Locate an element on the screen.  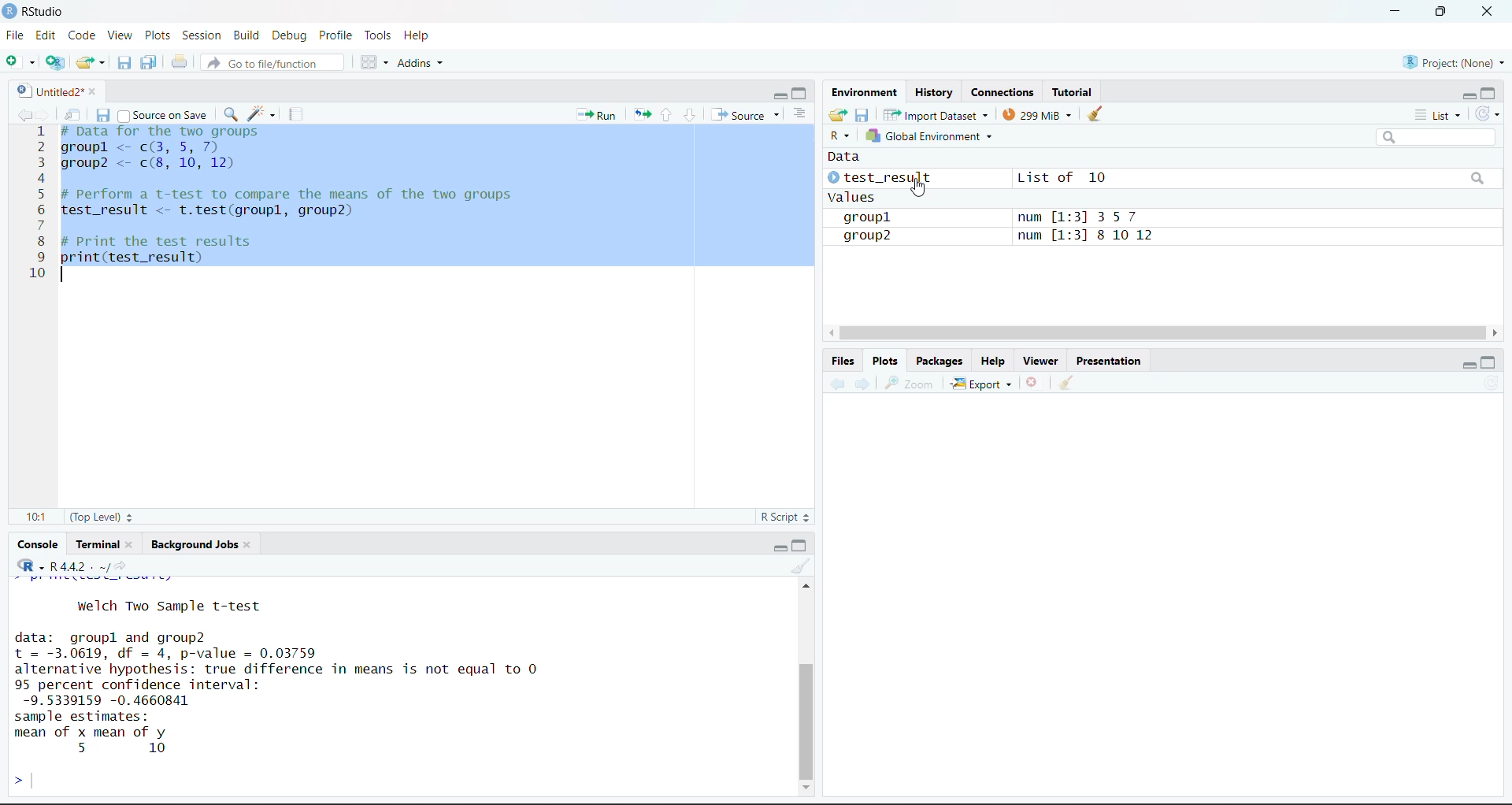
Tutorial is located at coordinates (1073, 90).